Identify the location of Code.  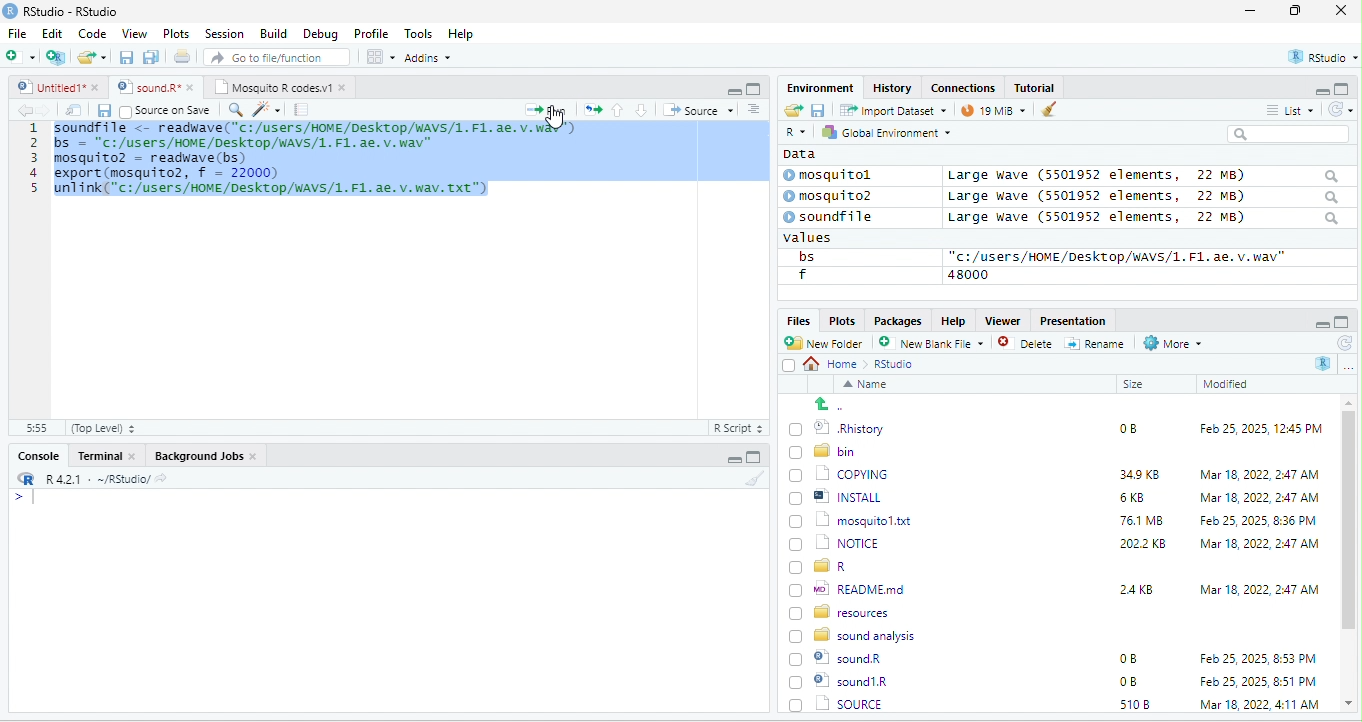
(93, 33).